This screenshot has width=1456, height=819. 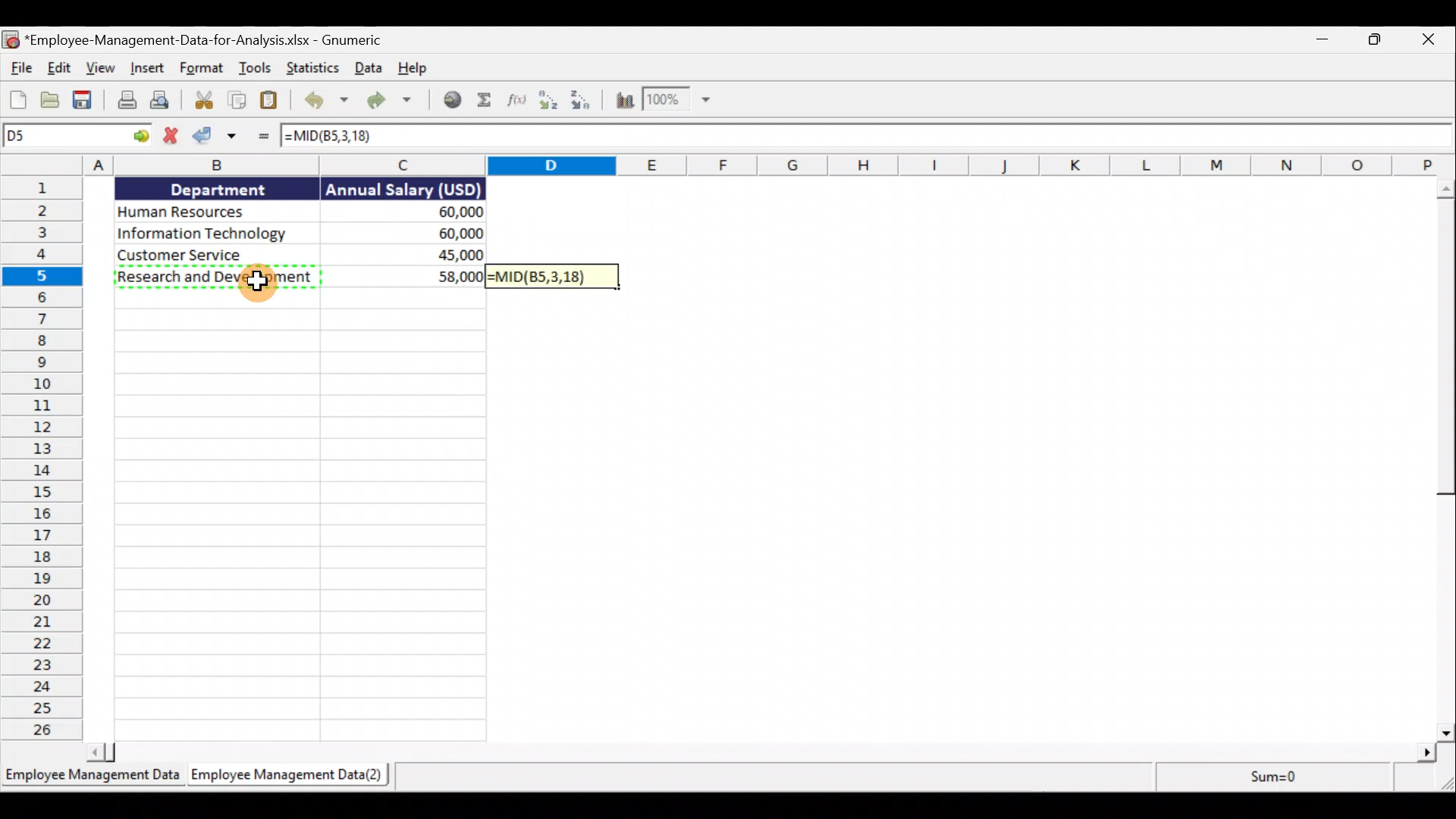 What do you see at coordinates (234, 100) in the screenshot?
I see `Copy selection` at bounding box center [234, 100].